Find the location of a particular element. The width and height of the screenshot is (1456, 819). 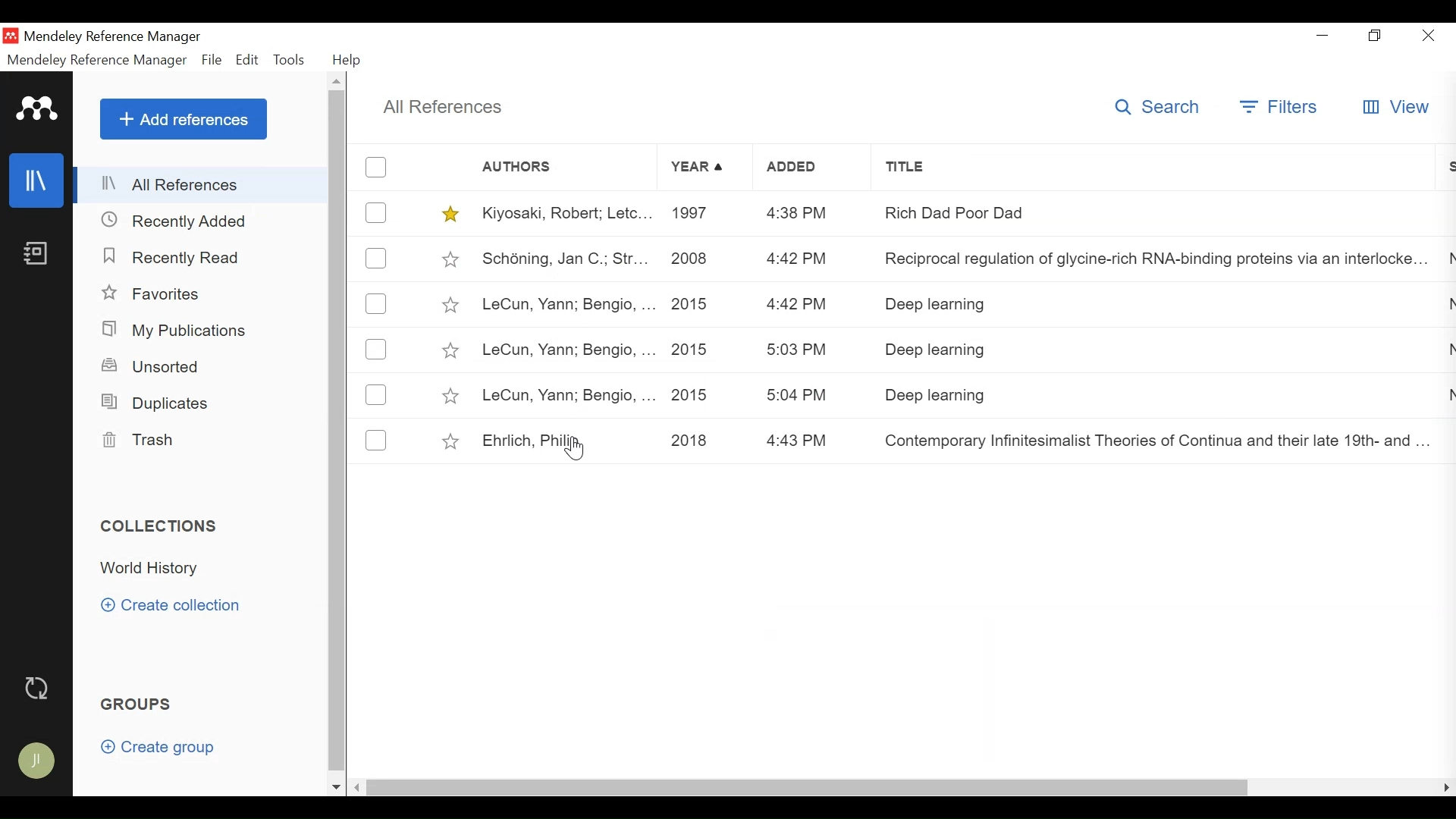

(un)Select is located at coordinates (376, 259).